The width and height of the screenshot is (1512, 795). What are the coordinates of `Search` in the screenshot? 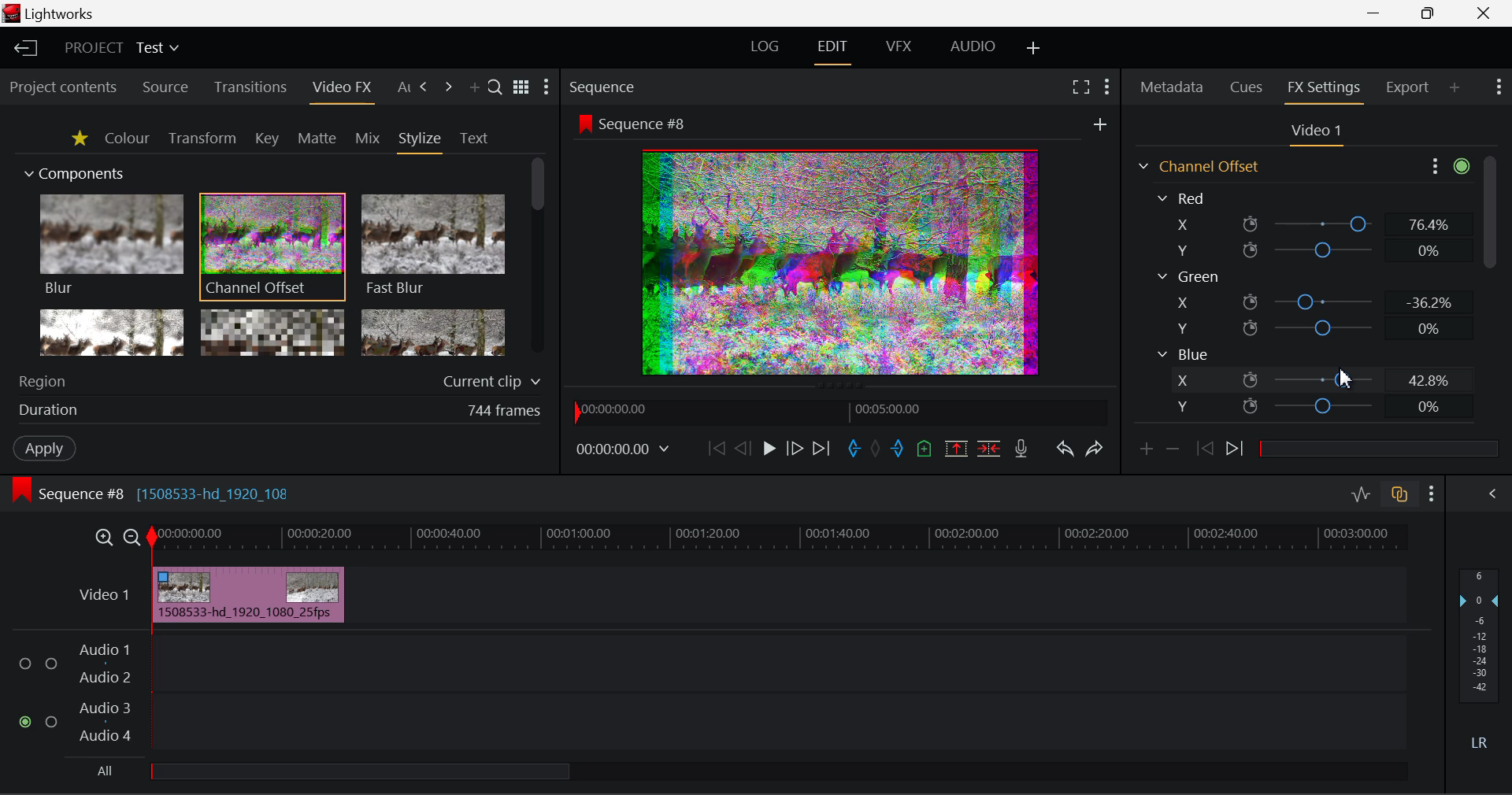 It's located at (495, 87).